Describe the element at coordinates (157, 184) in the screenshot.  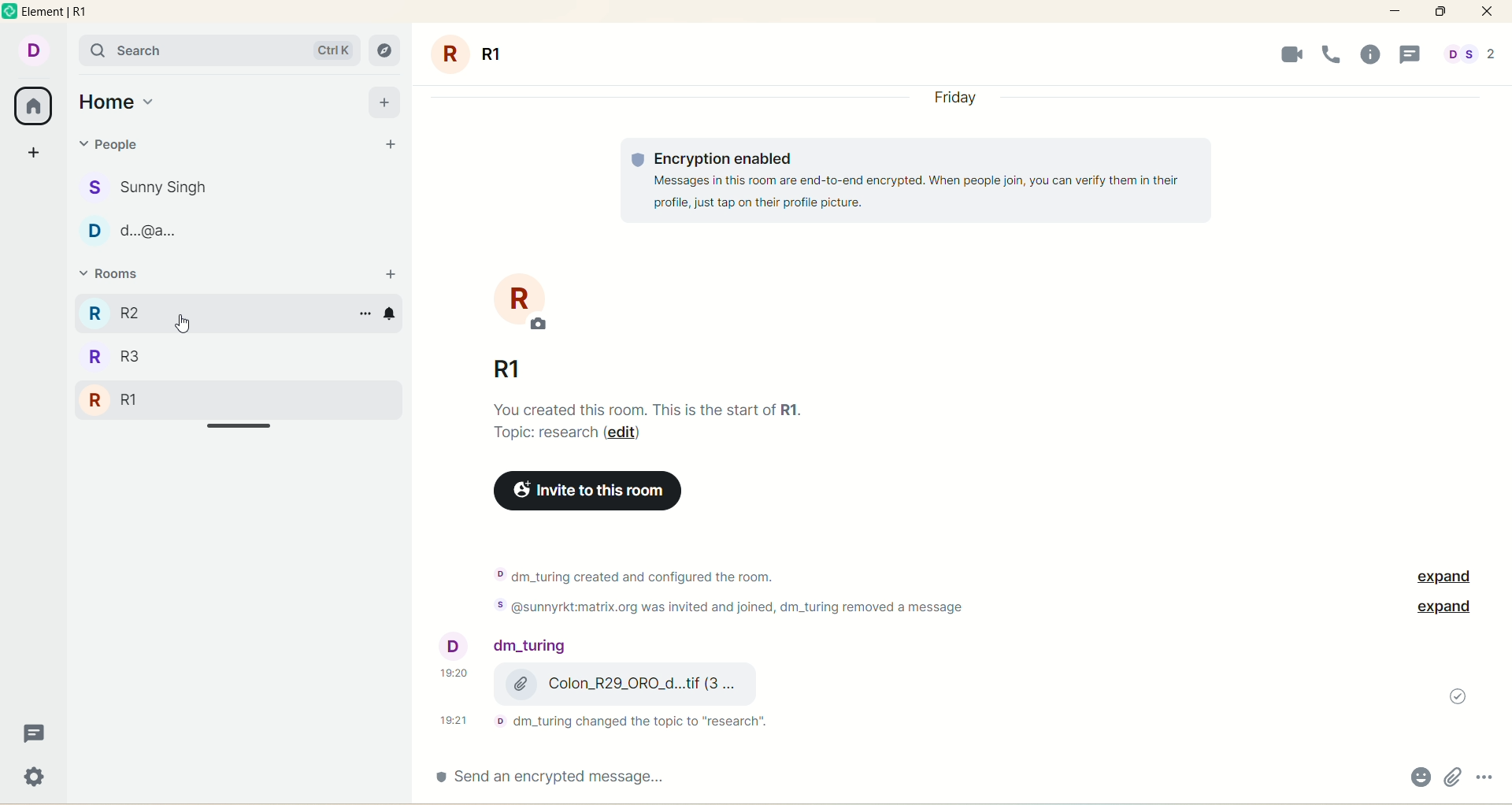
I see `people` at that location.